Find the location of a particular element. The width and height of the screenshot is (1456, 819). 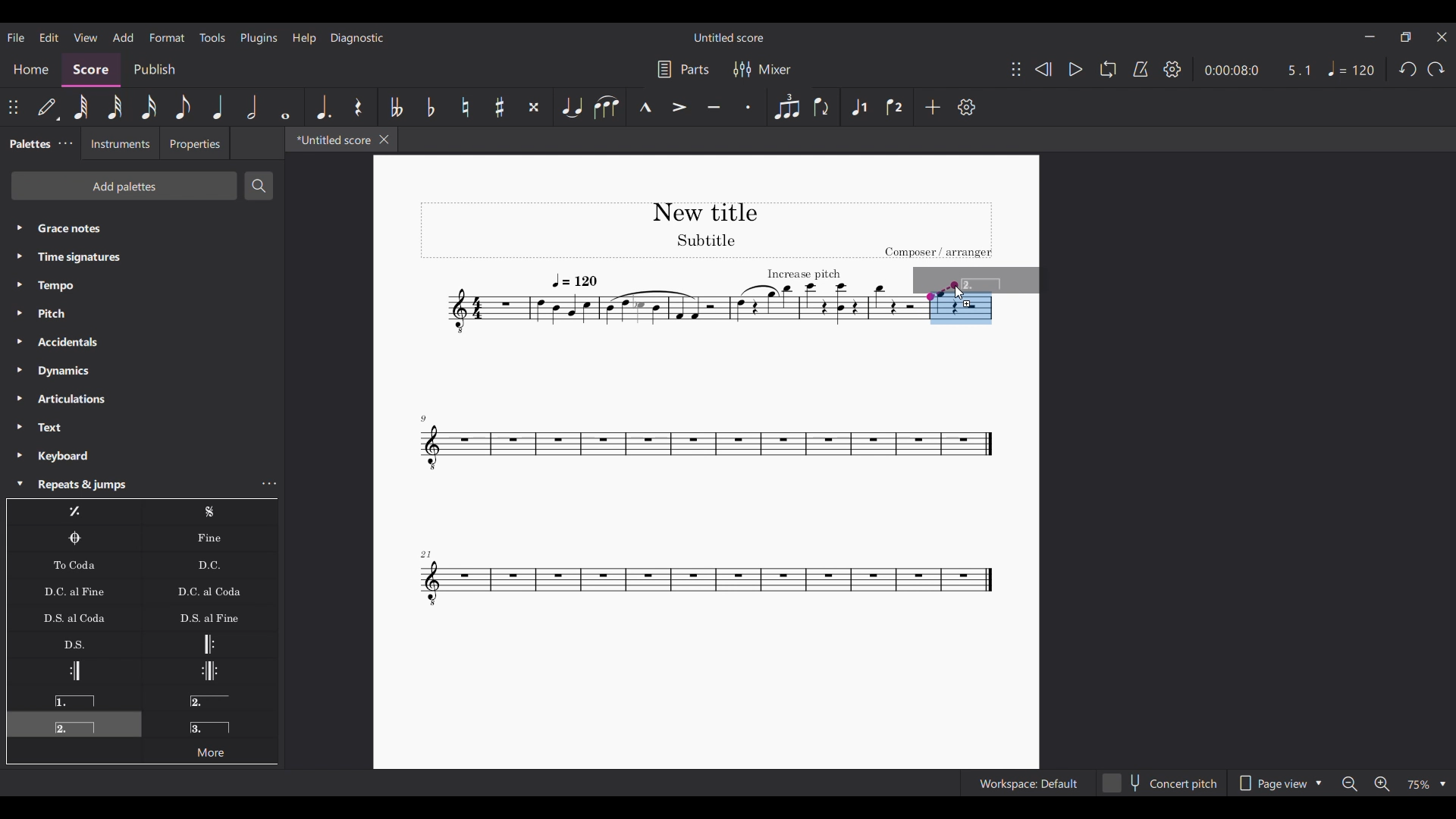

Search  is located at coordinates (259, 186).